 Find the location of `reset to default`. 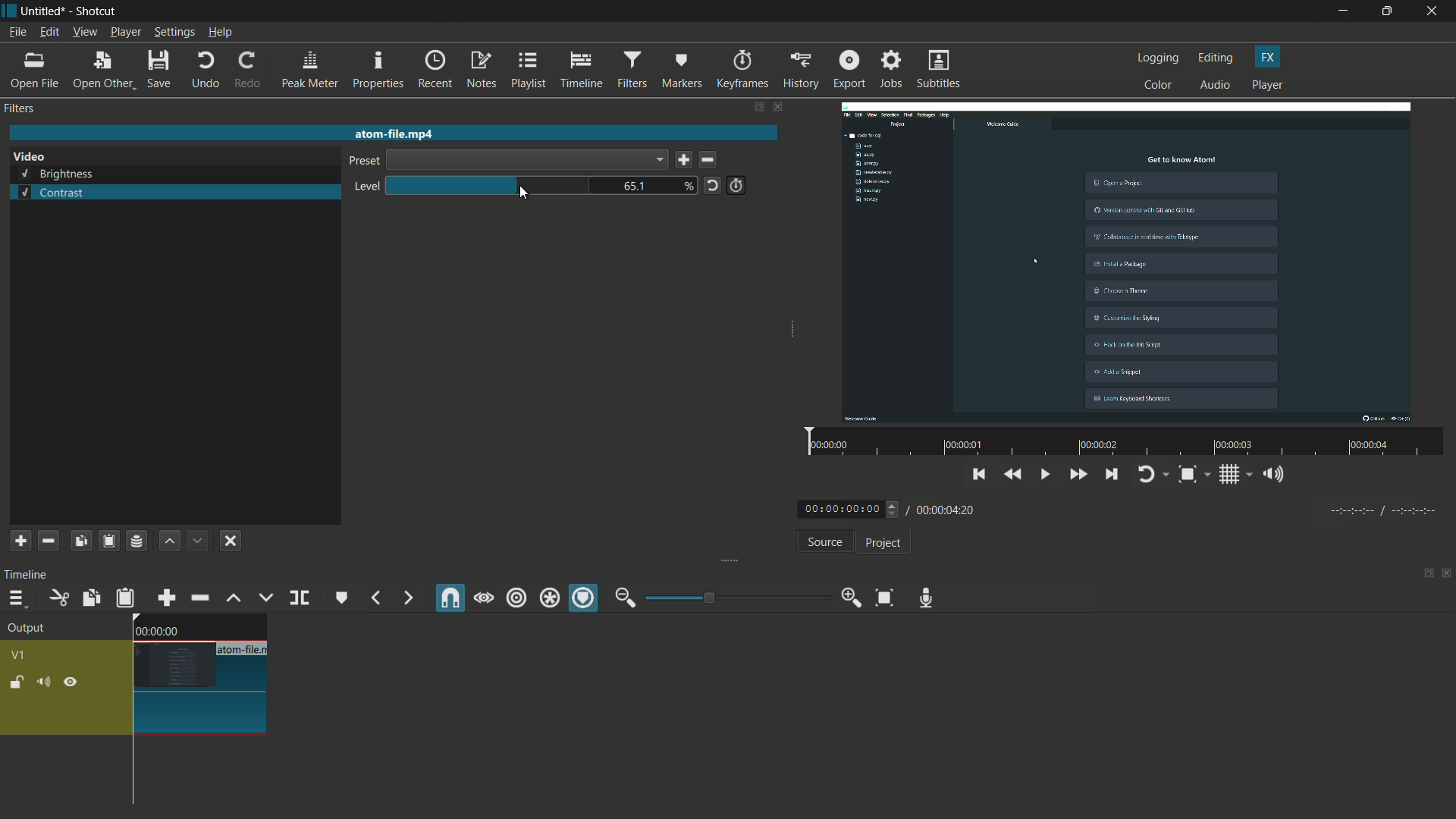

reset to default is located at coordinates (712, 184).